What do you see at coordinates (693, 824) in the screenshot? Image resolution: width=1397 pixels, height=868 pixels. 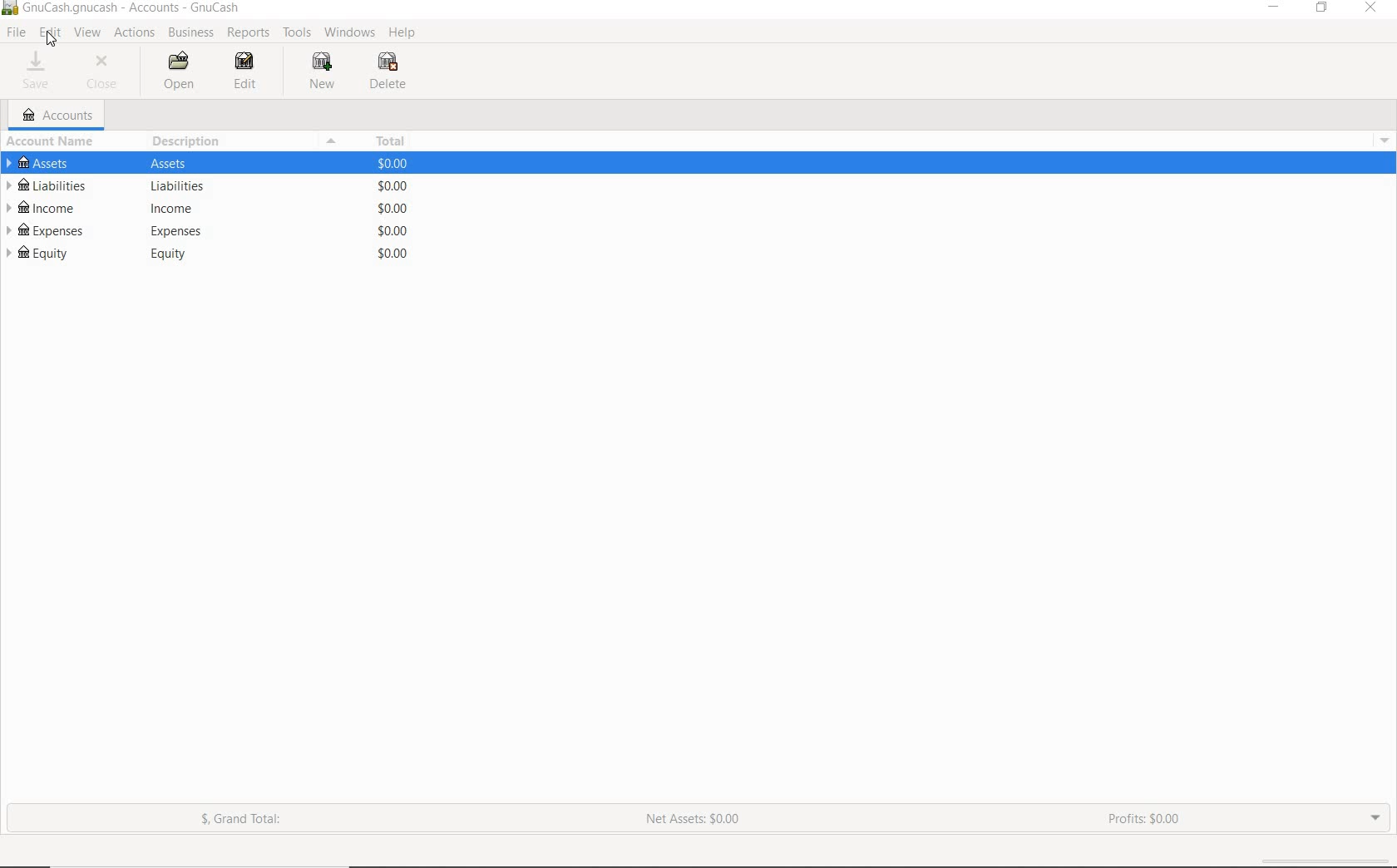 I see `NET ASSETS` at bounding box center [693, 824].